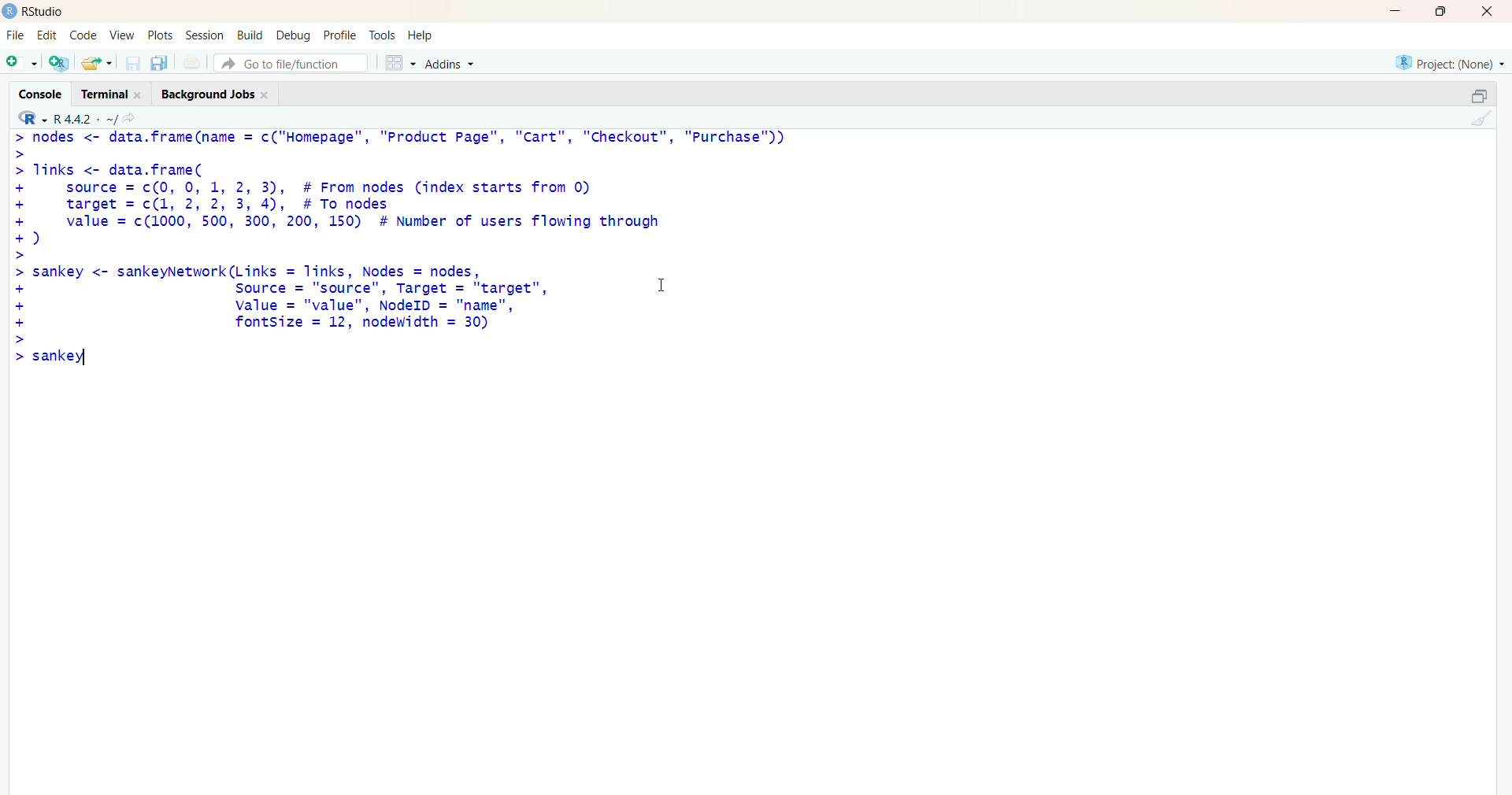 This screenshot has height=795, width=1512. Describe the element at coordinates (291, 63) in the screenshot. I see `go to file function` at that location.